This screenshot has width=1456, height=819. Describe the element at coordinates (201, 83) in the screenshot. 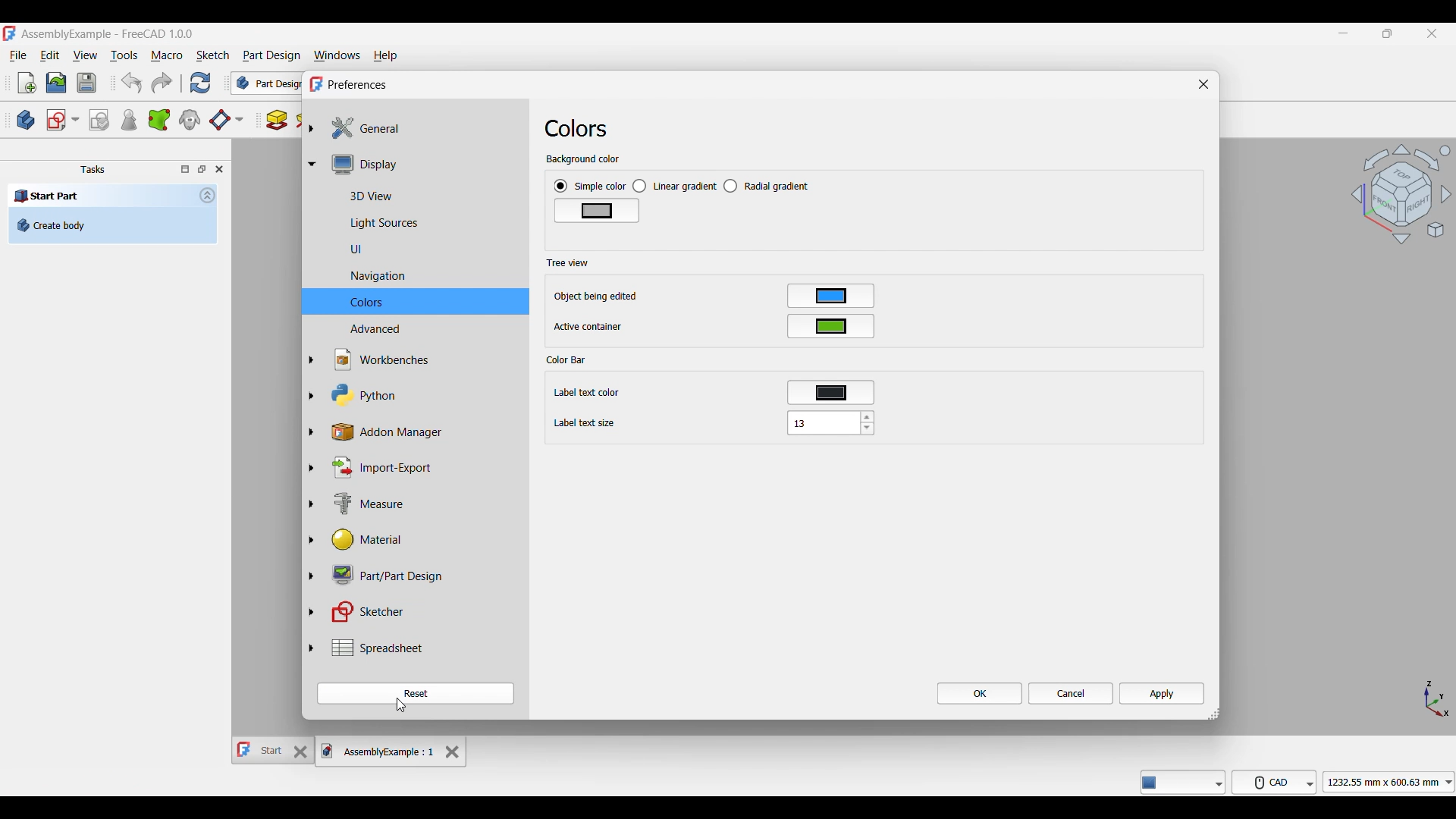

I see `Refresh` at that location.